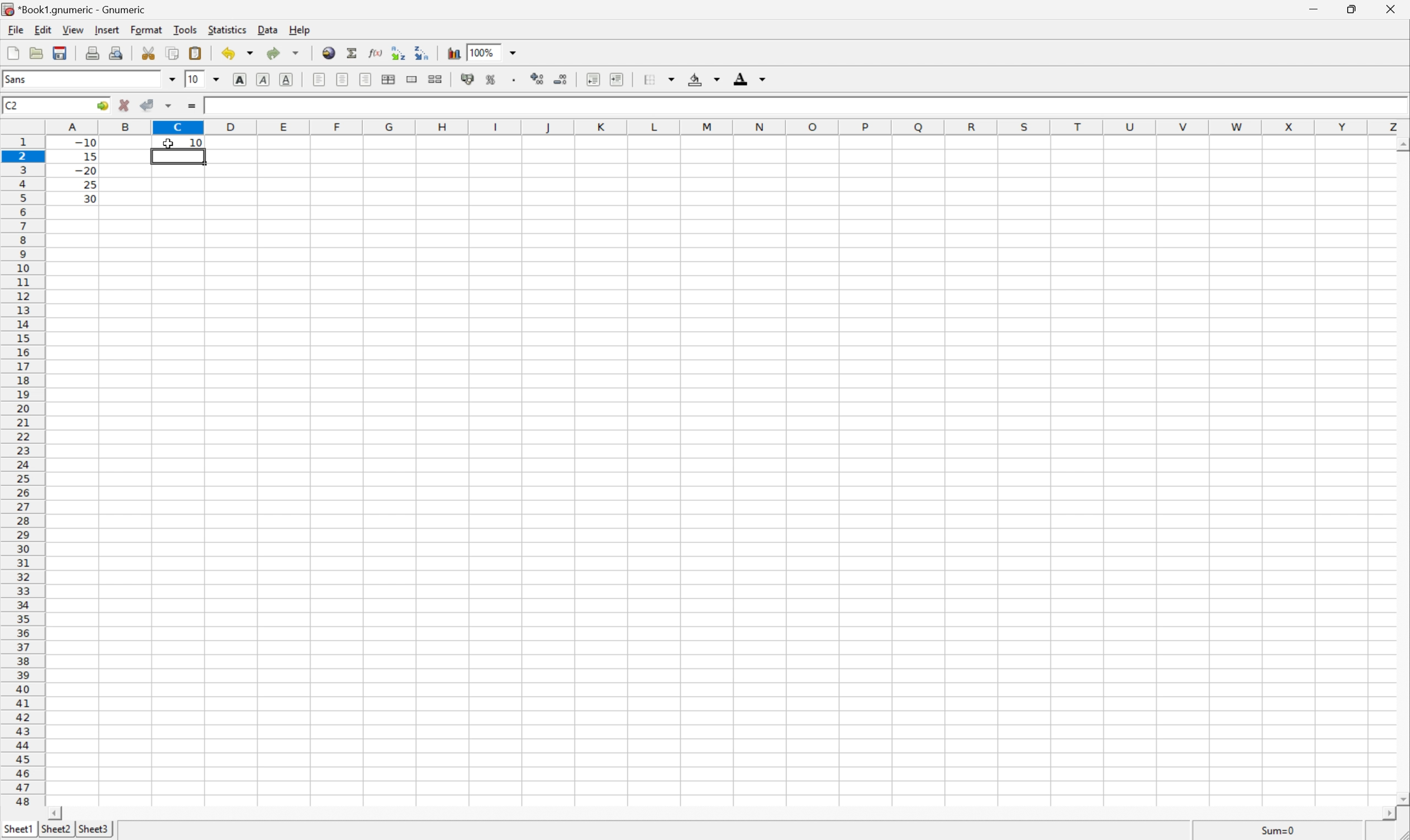 The image size is (1410, 840). I want to click on Underline, so click(288, 78).